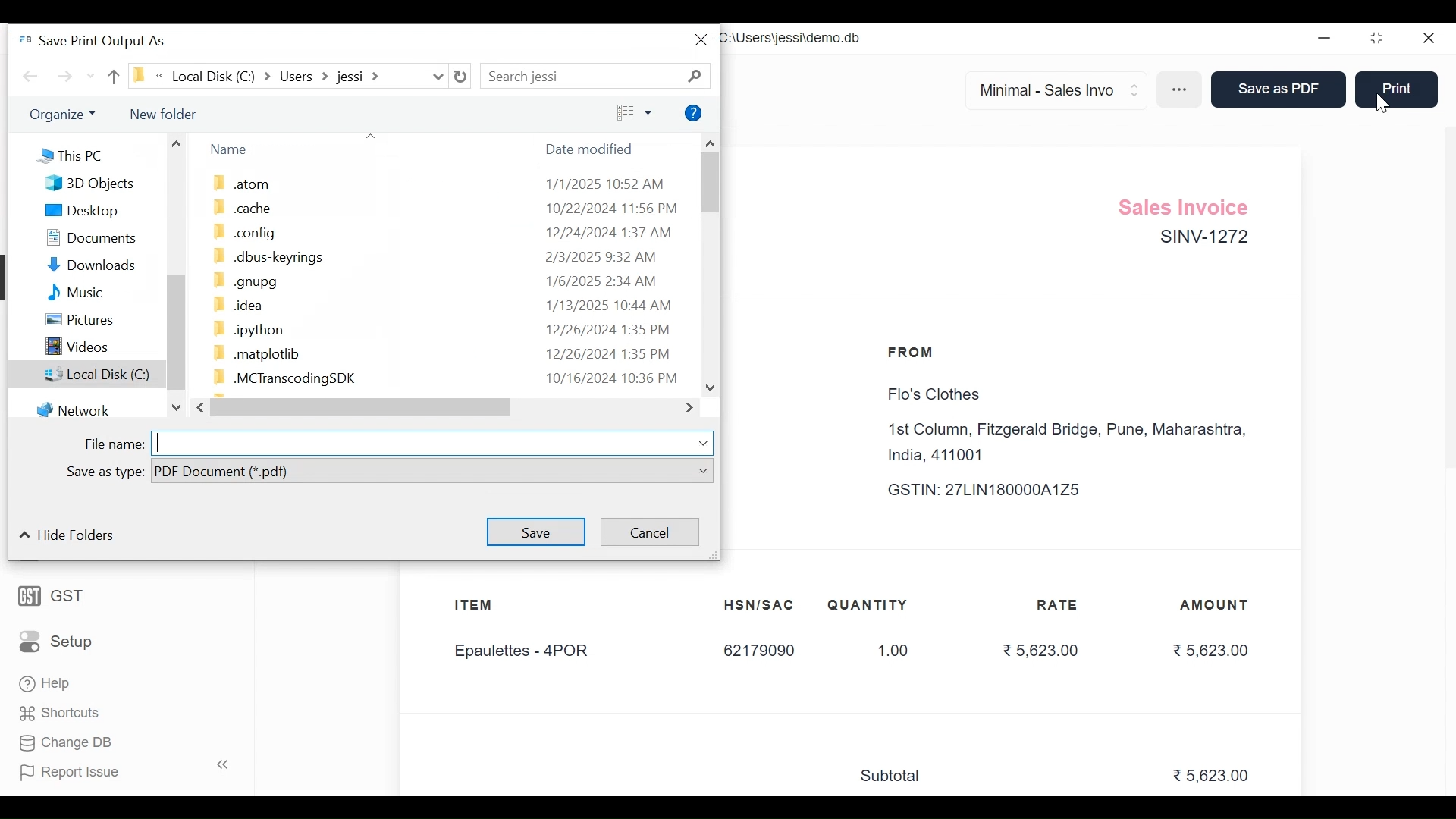 Image resolution: width=1456 pixels, height=819 pixels. Describe the element at coordinates (711, 141) in the screenshot. I see `Scroll up` at that location.